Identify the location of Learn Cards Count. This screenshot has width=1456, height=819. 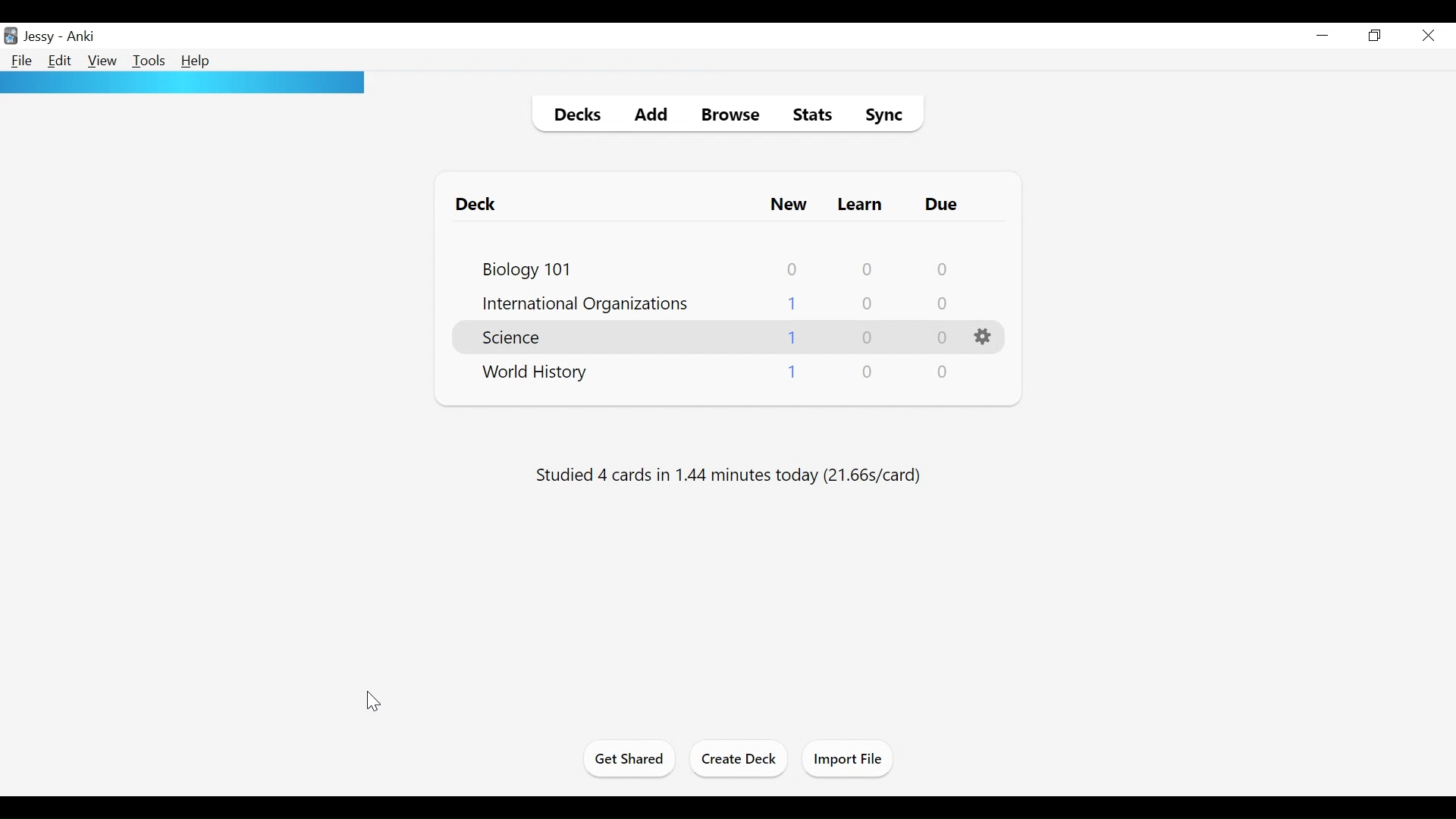
(870, 271).